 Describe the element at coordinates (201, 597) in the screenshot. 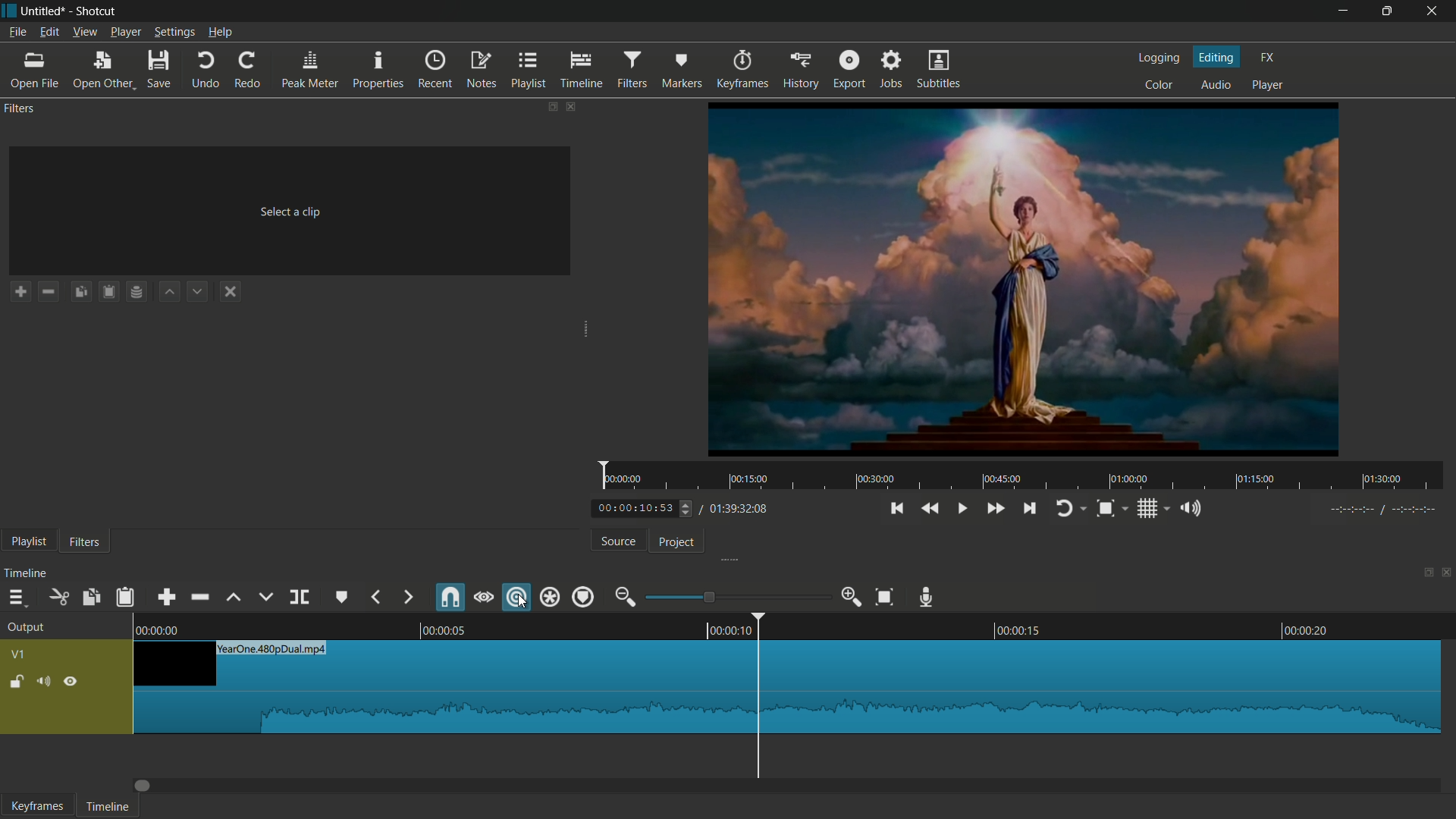

I see `ripple delete` at that location.